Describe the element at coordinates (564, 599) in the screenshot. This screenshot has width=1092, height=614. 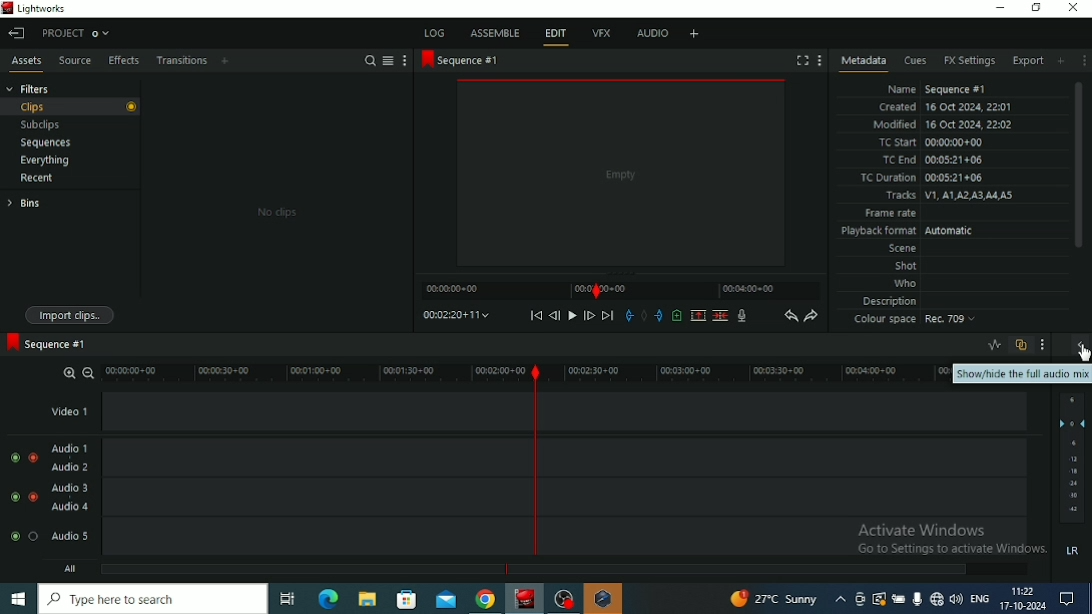
I see `OBS Studio` at that location.